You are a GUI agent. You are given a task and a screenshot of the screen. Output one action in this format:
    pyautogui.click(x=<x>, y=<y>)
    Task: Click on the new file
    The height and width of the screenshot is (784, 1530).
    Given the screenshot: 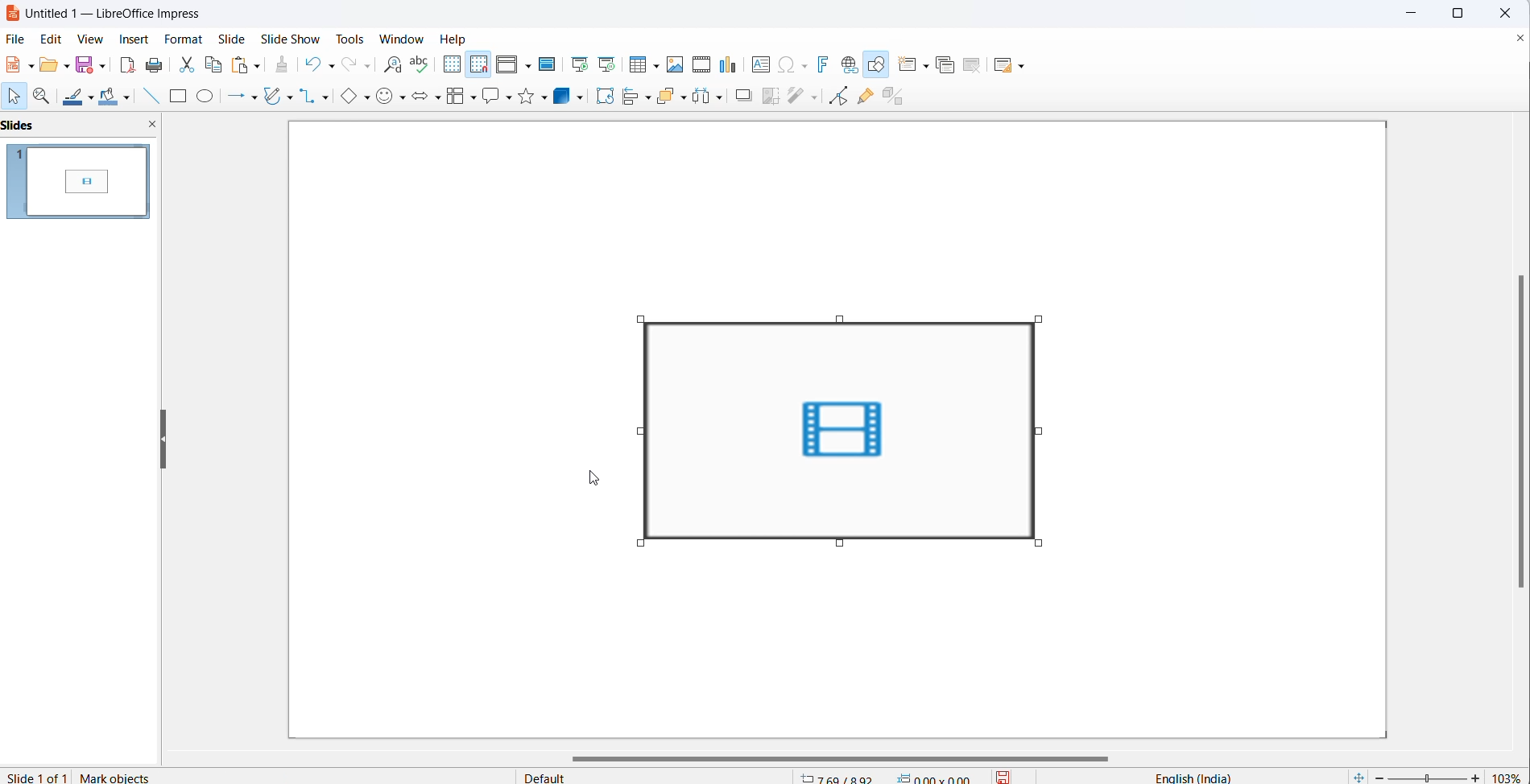 What is the action you would take?
    pyautogui.click(x=16, y=68)
    